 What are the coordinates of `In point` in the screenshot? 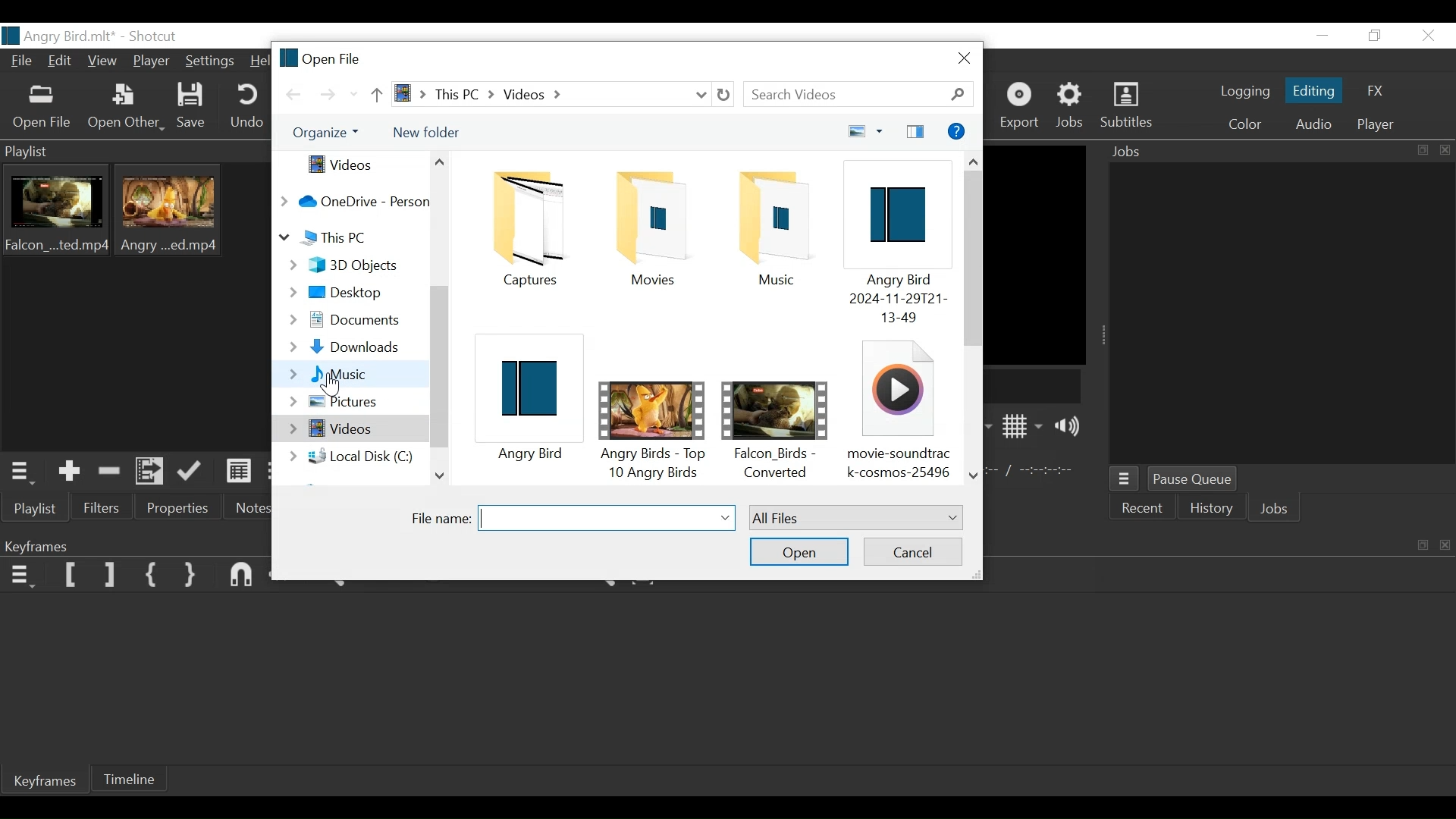 It's located at (1034, 471).